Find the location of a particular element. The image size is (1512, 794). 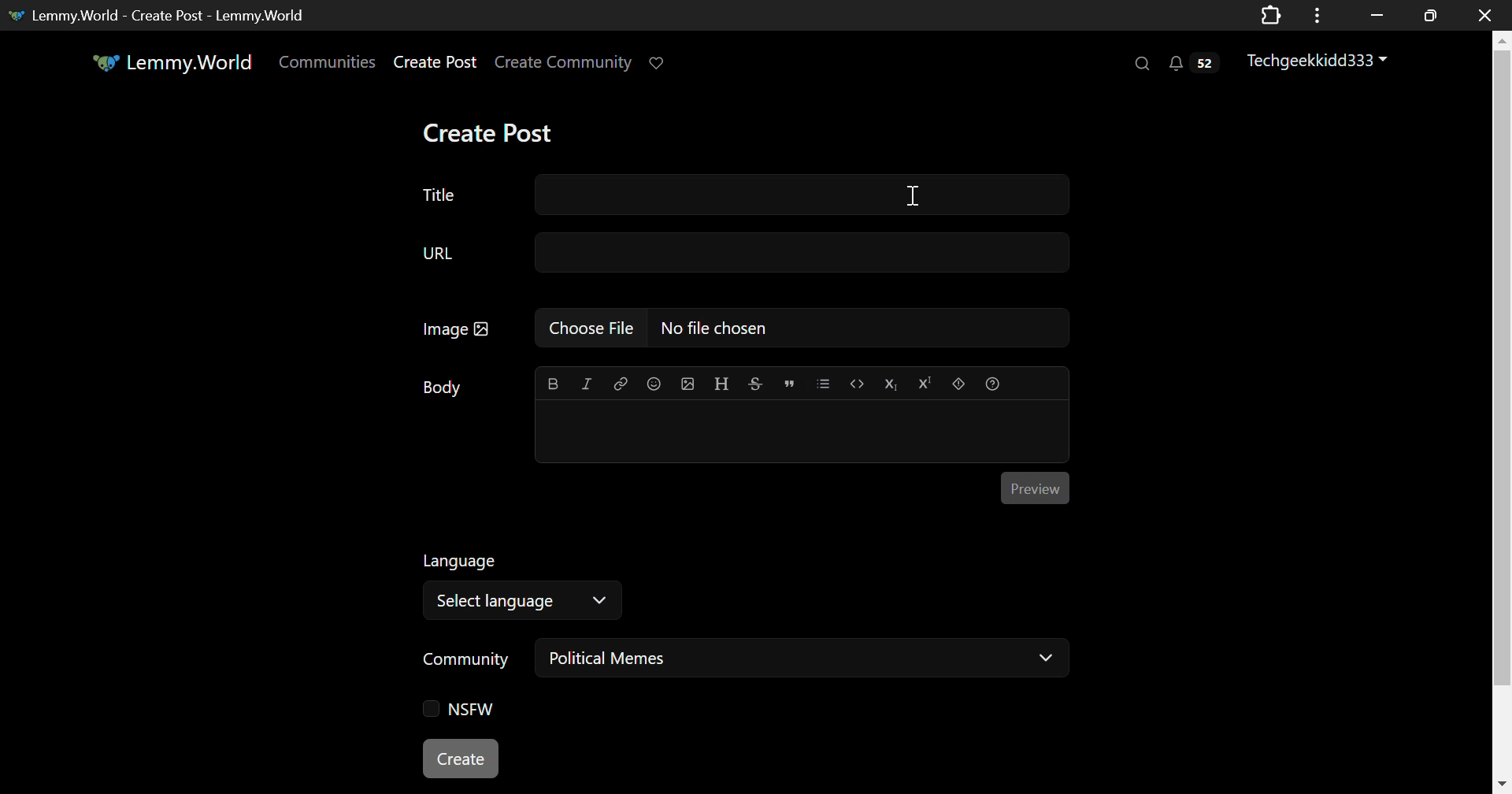

Create Post Page Link is located at coordinates (435, 63).